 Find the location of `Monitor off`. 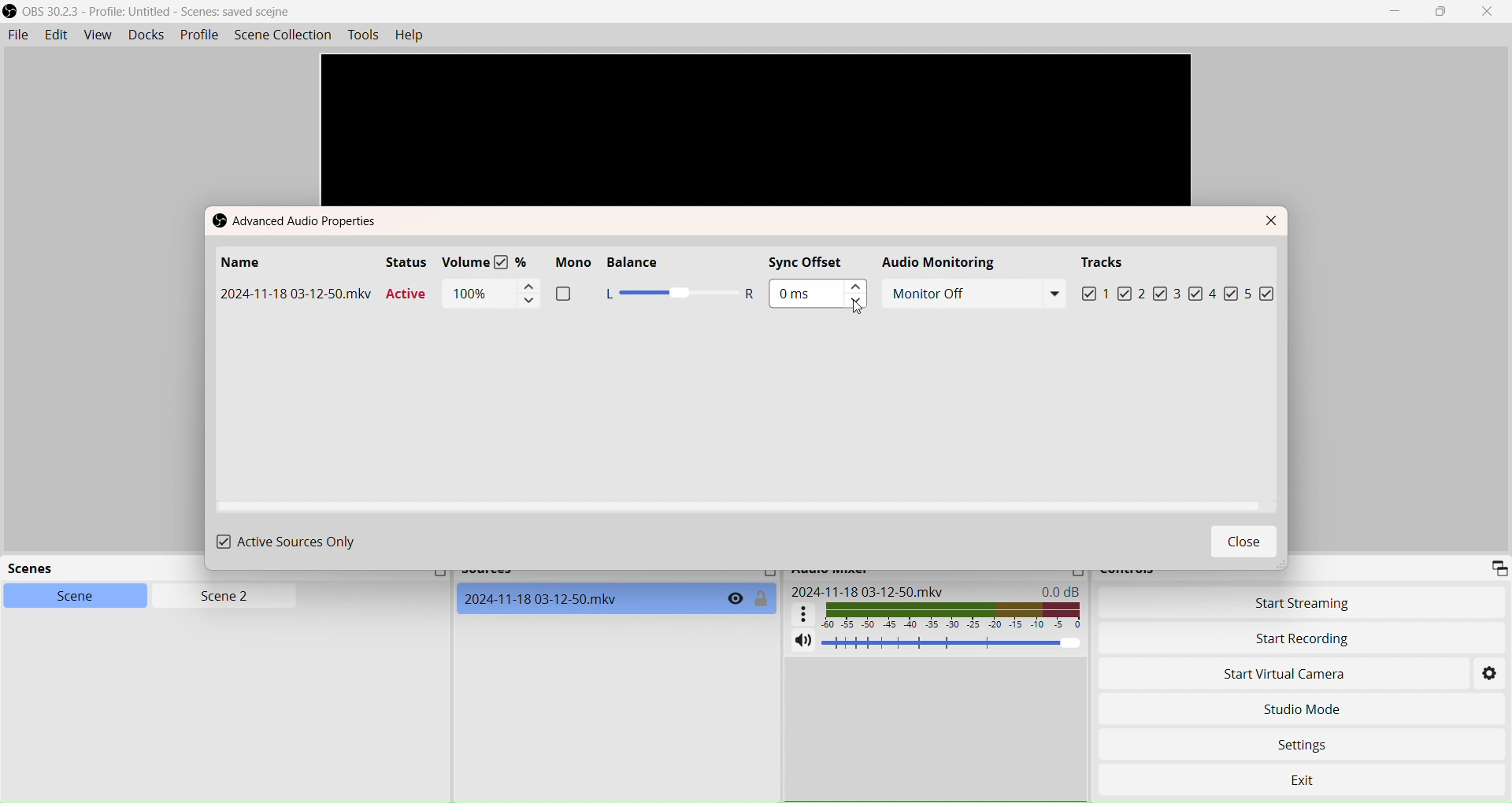

Monitor off is located at coordinates (976, 294).